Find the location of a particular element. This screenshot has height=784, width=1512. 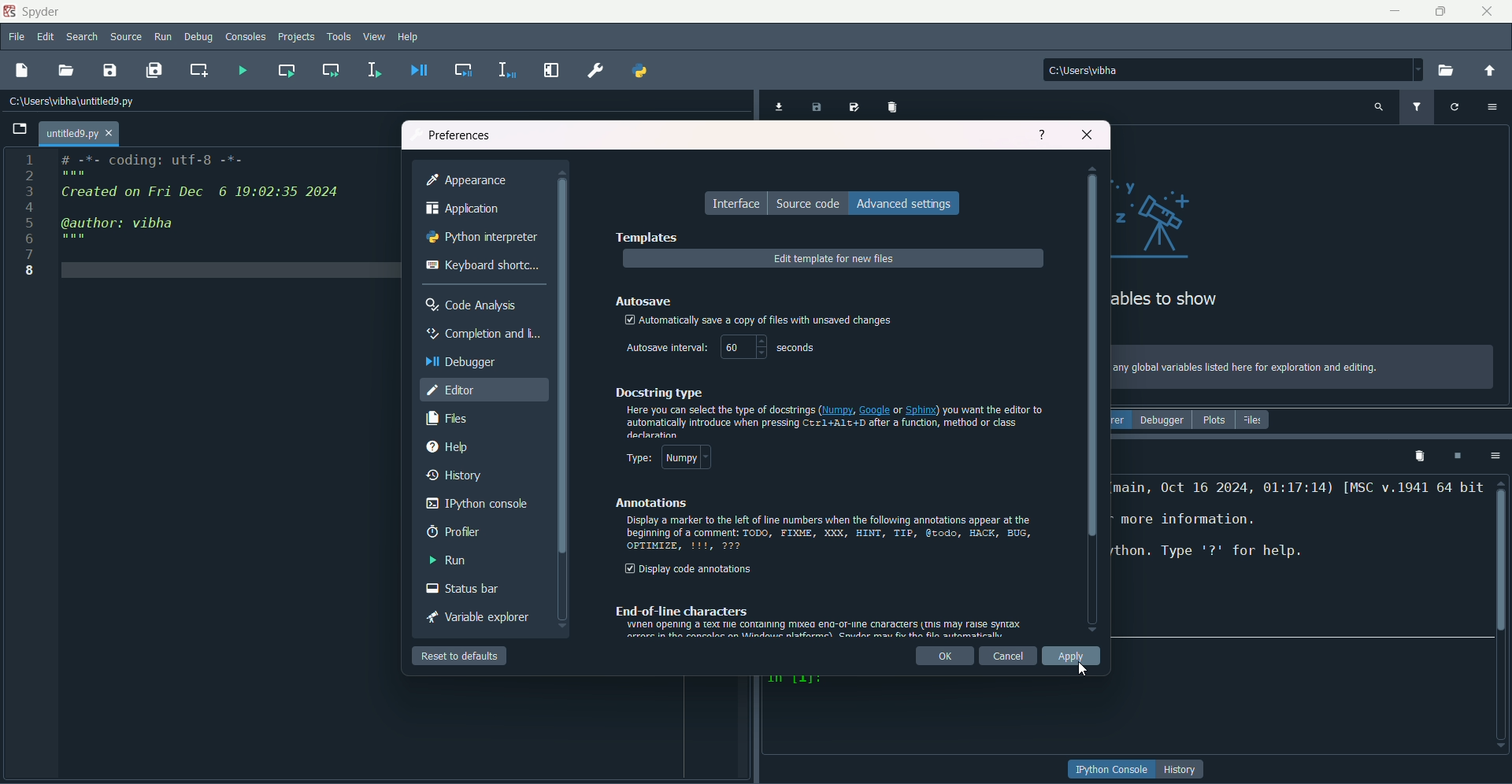

help is located at coordinates (447, 449).